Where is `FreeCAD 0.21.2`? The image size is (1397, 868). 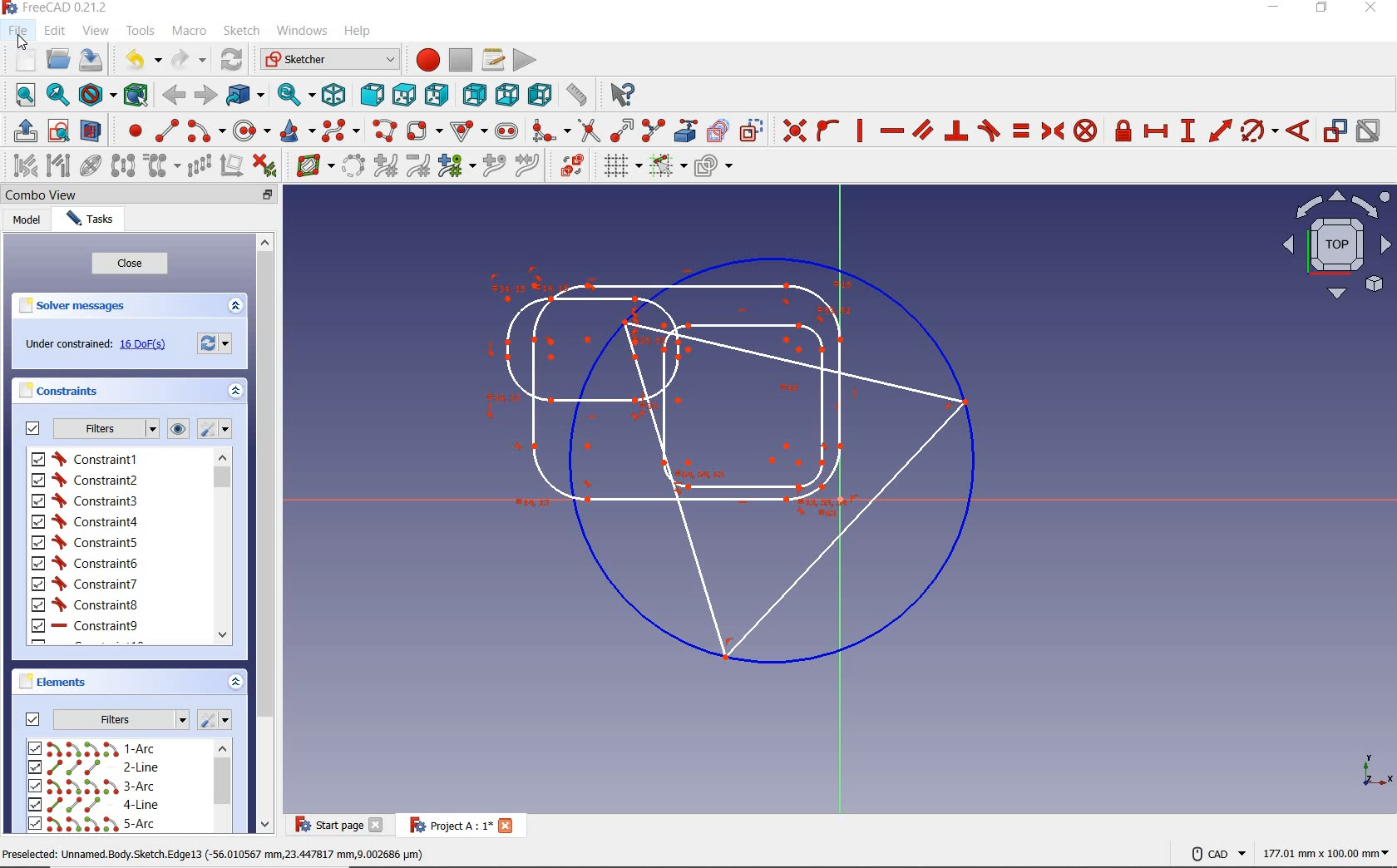 FreeCAD 0.21.2 is located at coordinates (59, 8).